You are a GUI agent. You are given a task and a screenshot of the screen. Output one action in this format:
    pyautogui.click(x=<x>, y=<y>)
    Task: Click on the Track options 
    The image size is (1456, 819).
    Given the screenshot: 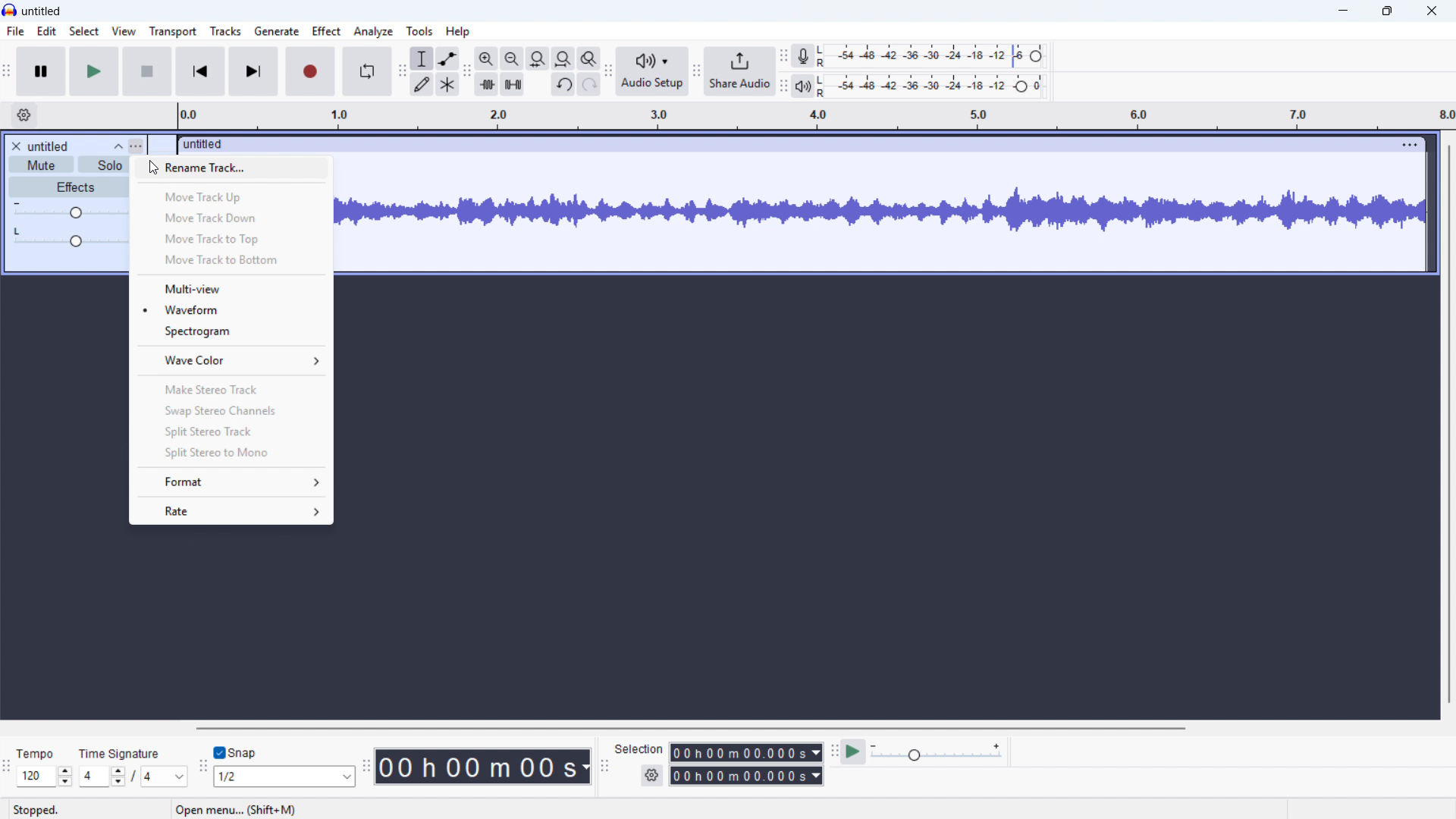 What is the action you would take?
    pyautogui.click(x=1410, y=144)
    